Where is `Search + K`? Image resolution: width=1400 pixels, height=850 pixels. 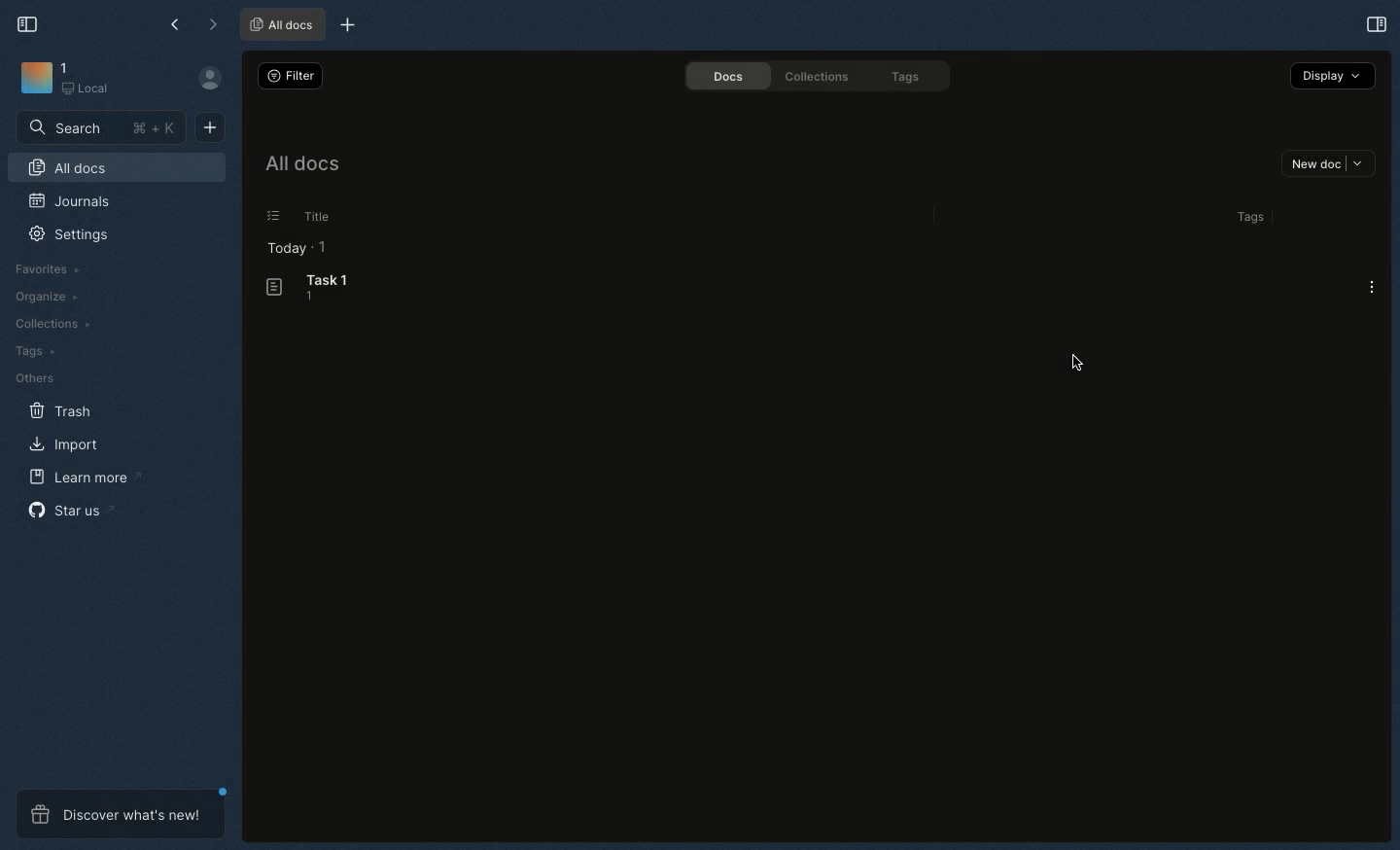 Search + K is located at coordinates (99, 128).